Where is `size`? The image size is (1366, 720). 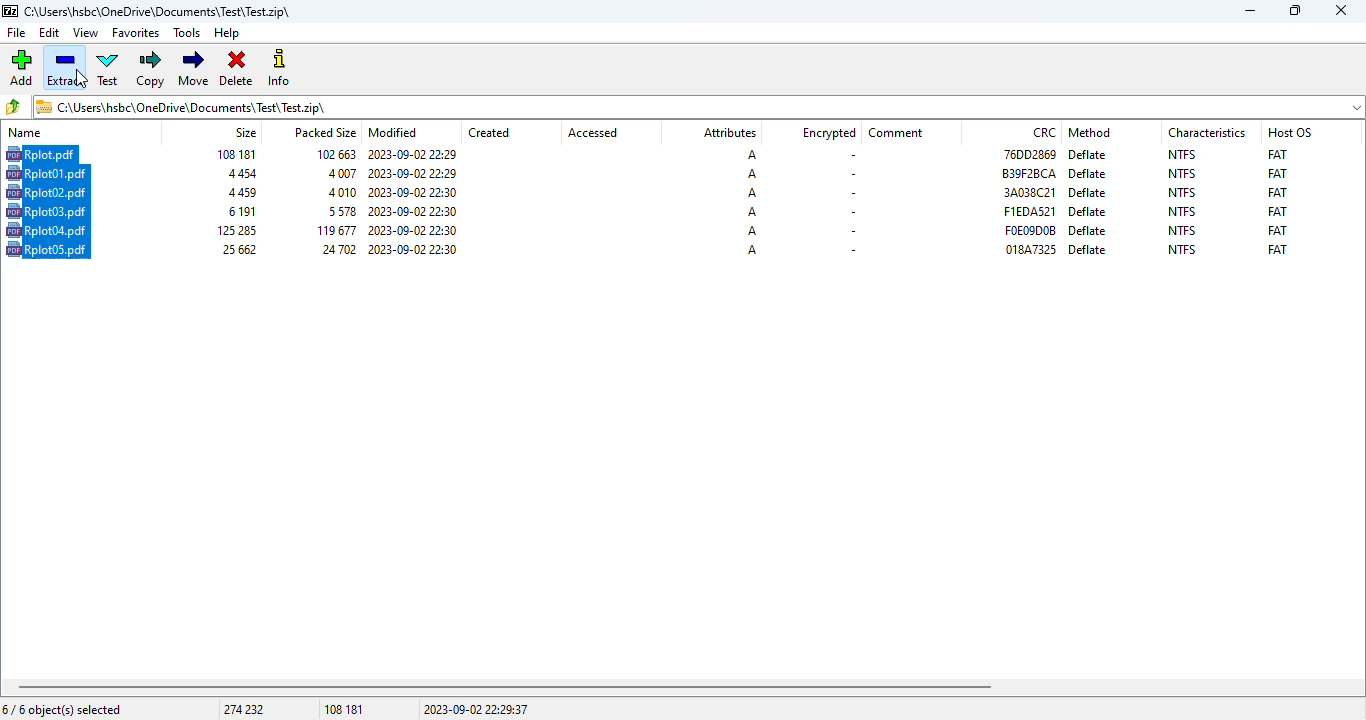 size is located at coordinates (235, 154).